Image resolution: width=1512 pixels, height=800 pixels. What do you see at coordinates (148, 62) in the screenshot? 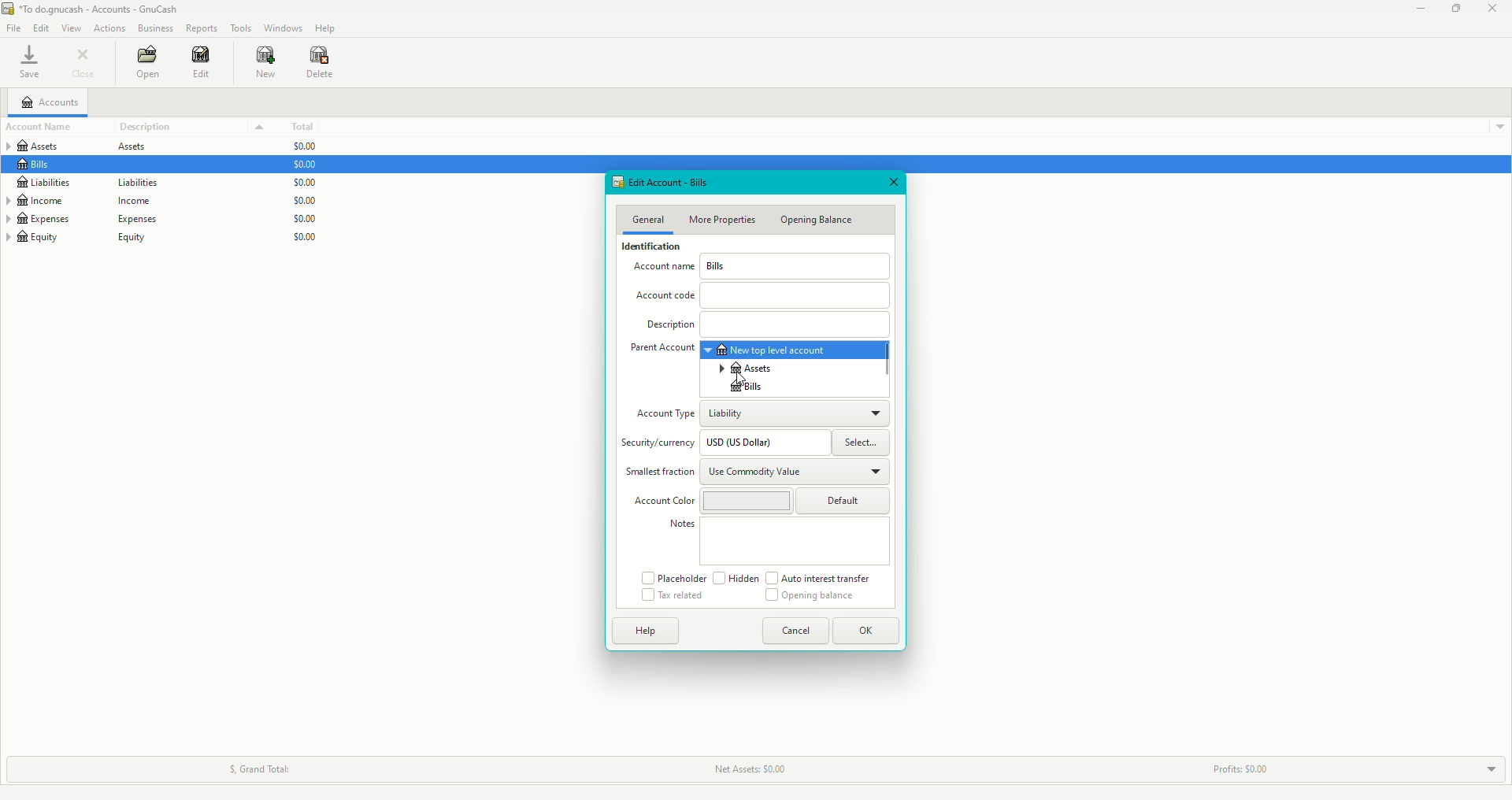
I see `Open` at bounding box center [148, 62].